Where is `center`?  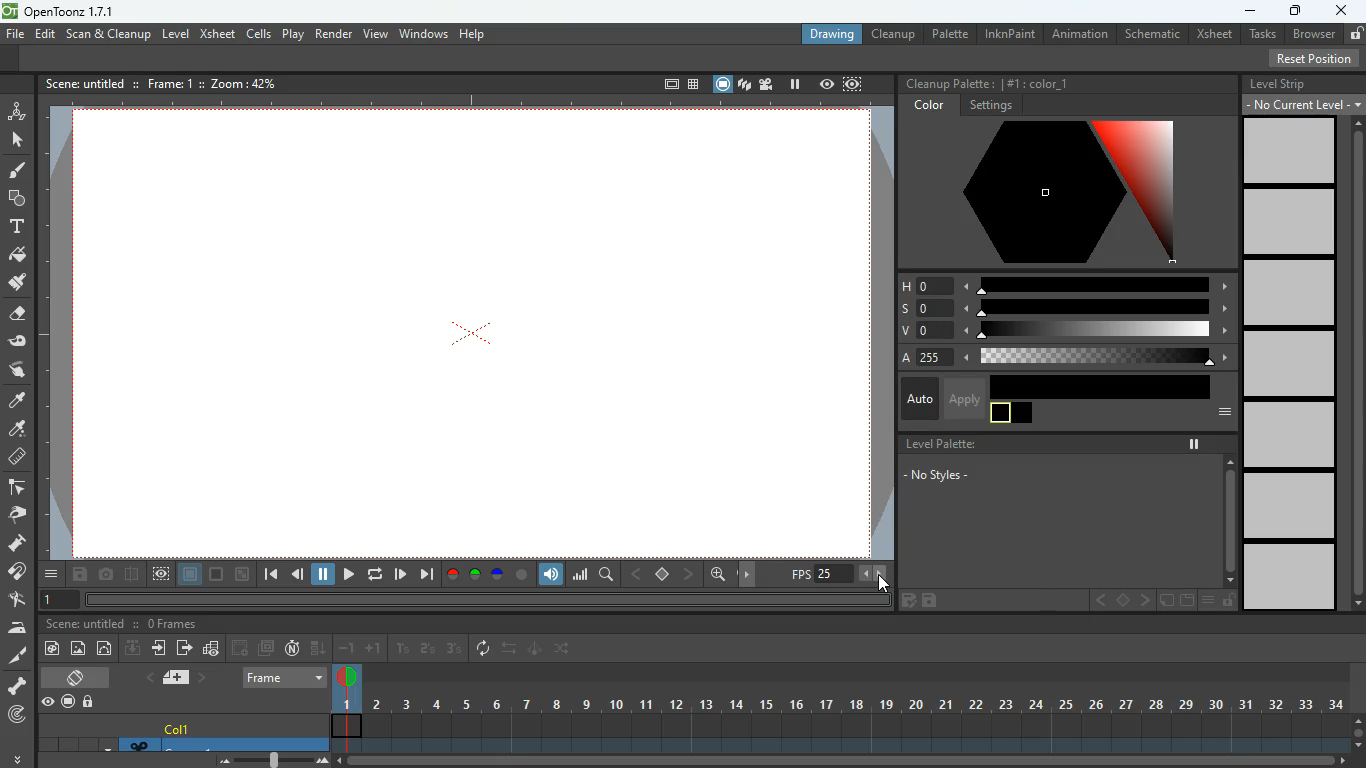
center is located at coordinates (1120, 600).